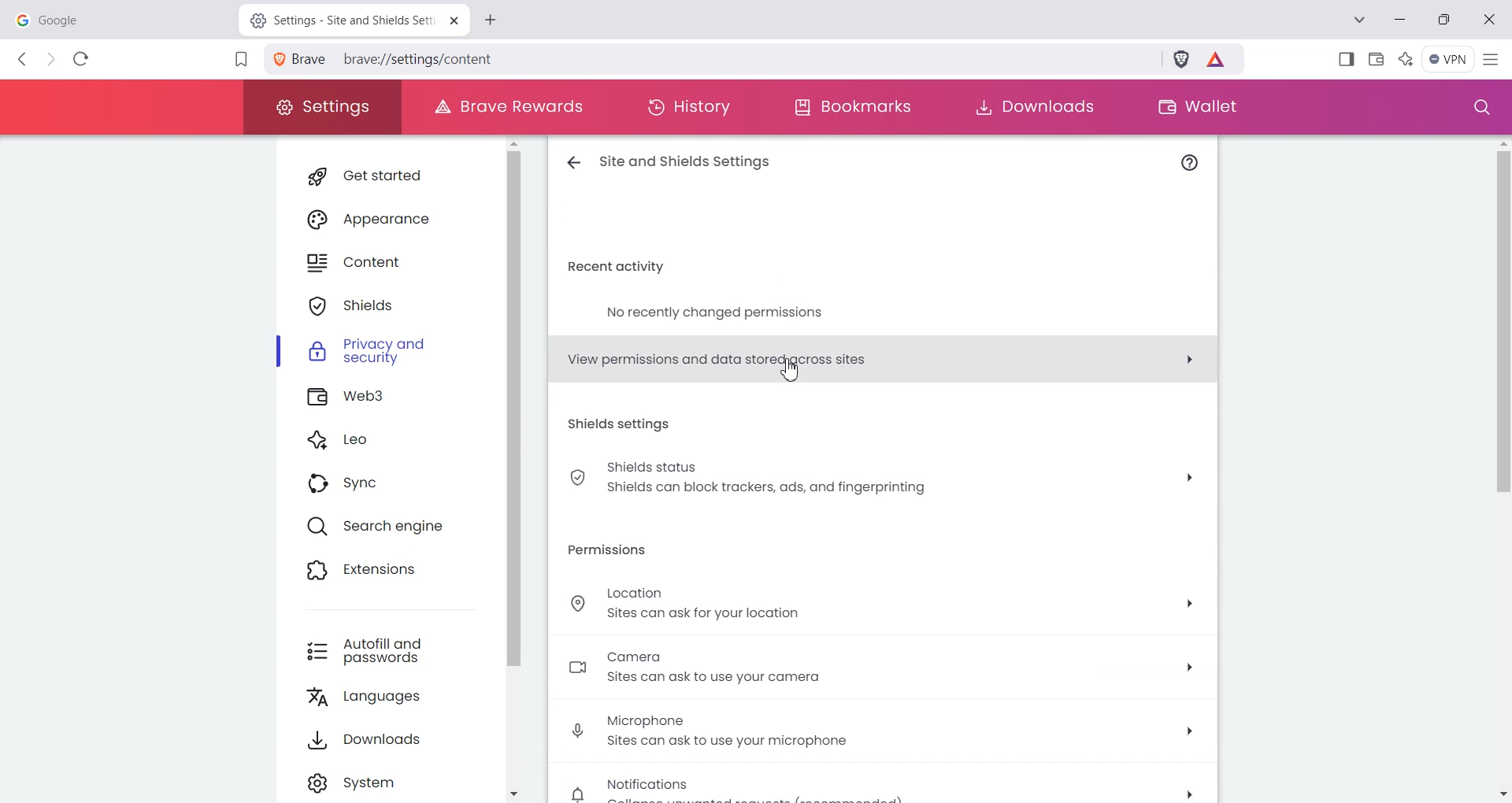  Describe the element at coordinates (81, 58) in the screenshot. I see `Reload` at that location.